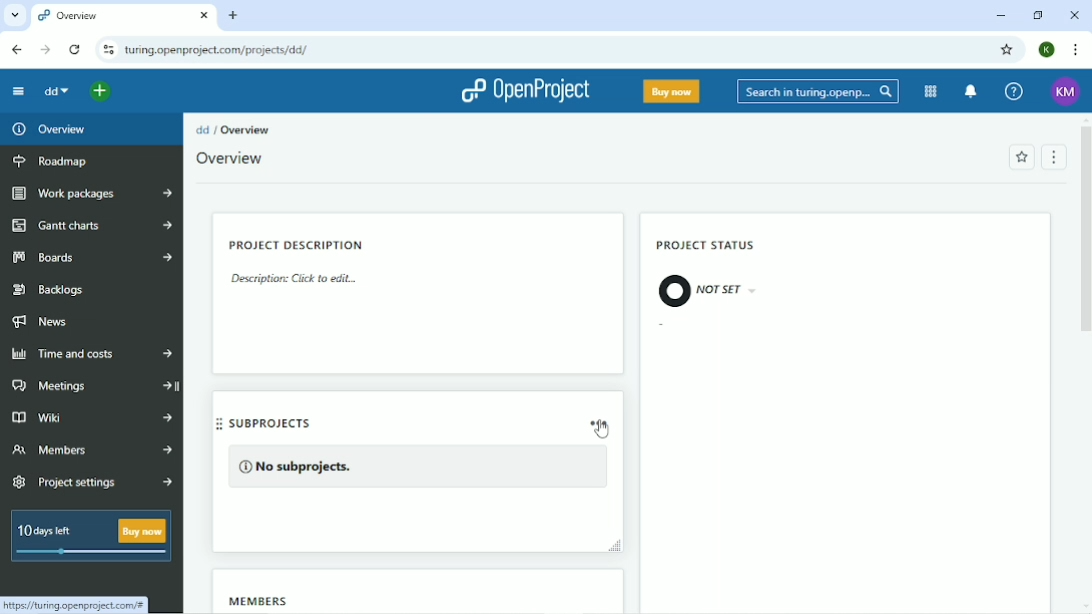 Image resolution: width=1092 pixels, height=614 pixels. What do you see at coordinates (293, 423) in the screenshot?
I see `Subprojects` at bounding box center [293, 423].